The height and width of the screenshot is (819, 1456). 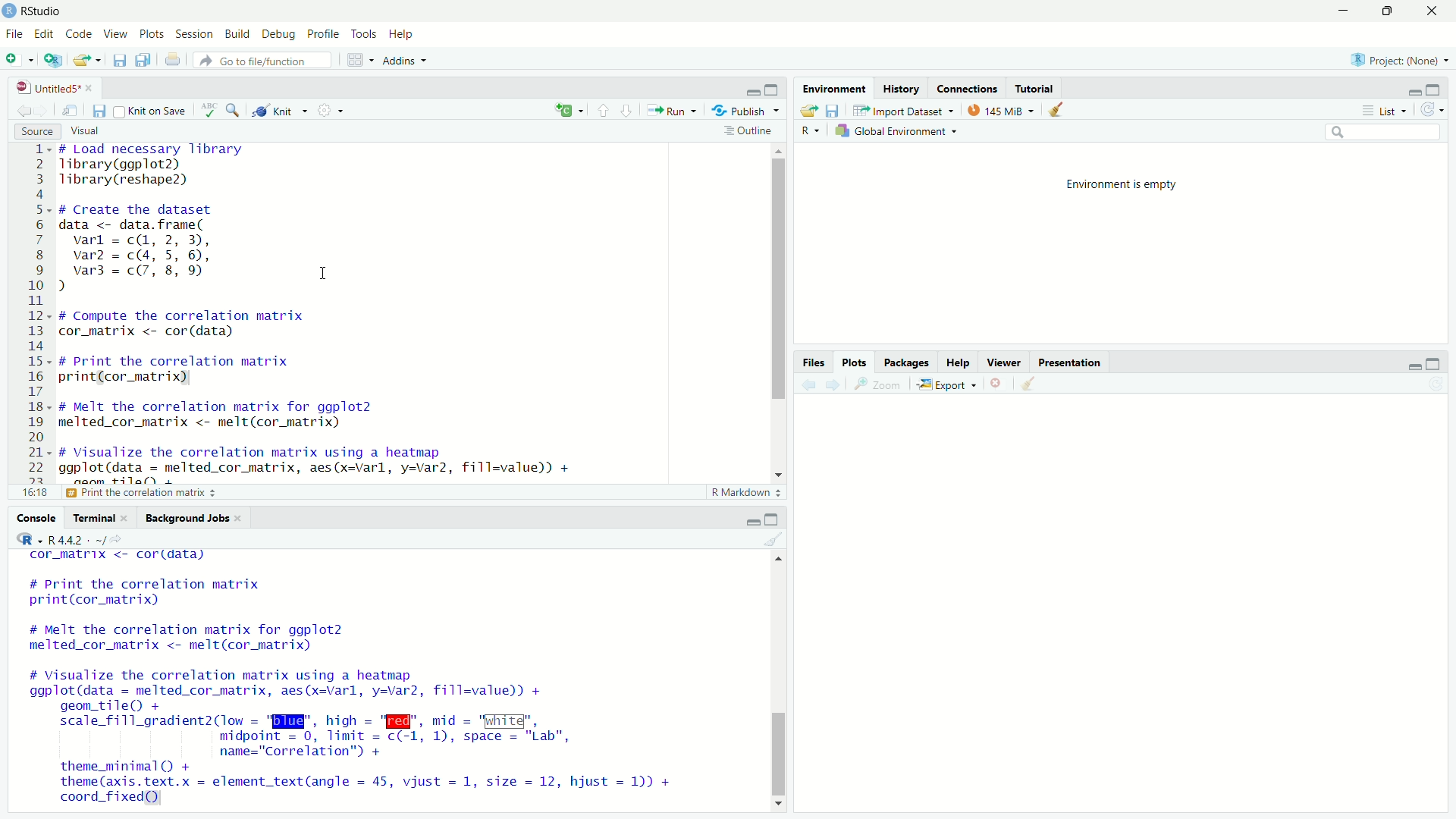 I want to click on maximize, so click(x=1435, y=364).